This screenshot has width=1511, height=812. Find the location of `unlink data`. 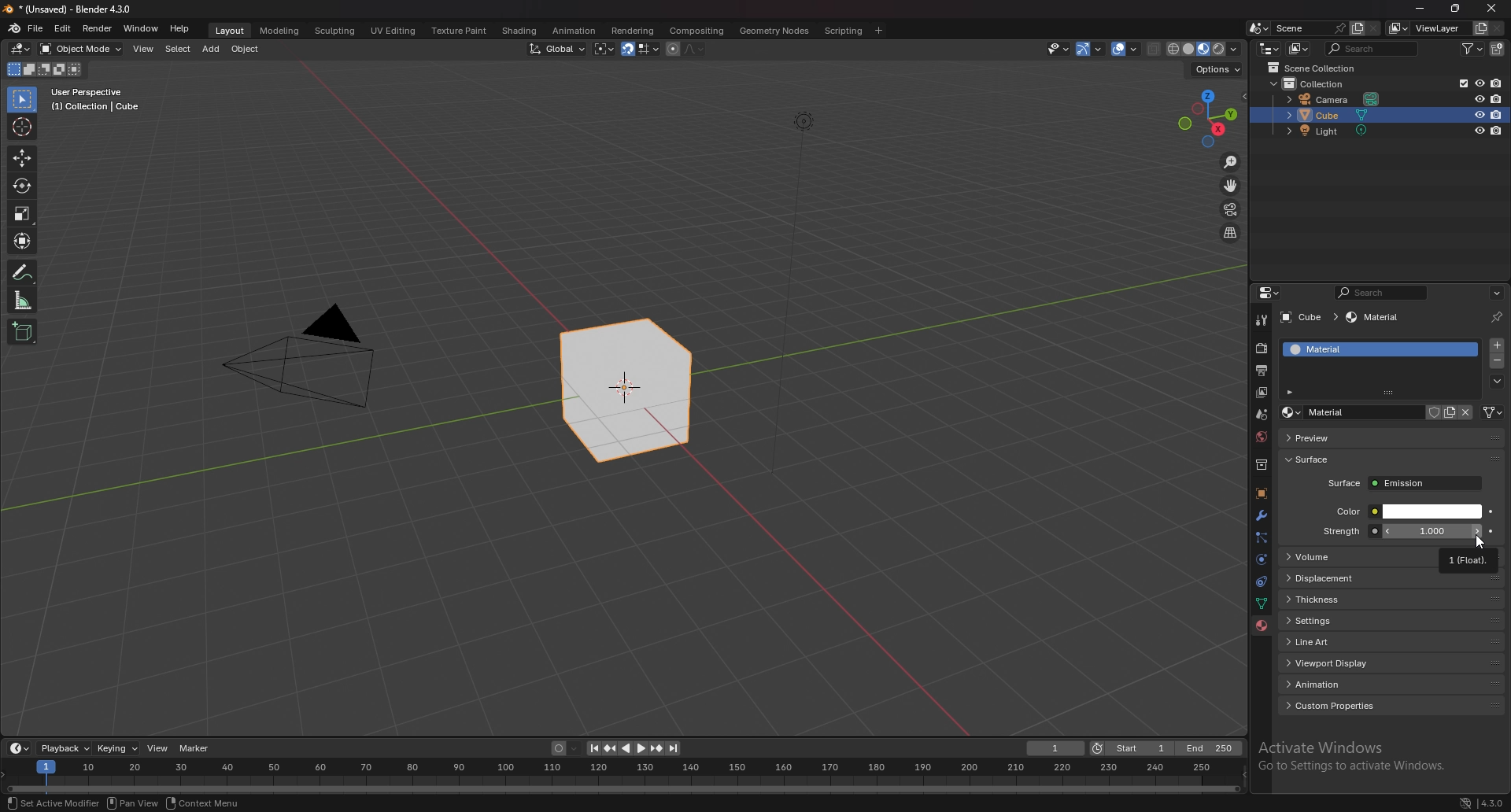

unlink data is located at coordinates (1466, 412).